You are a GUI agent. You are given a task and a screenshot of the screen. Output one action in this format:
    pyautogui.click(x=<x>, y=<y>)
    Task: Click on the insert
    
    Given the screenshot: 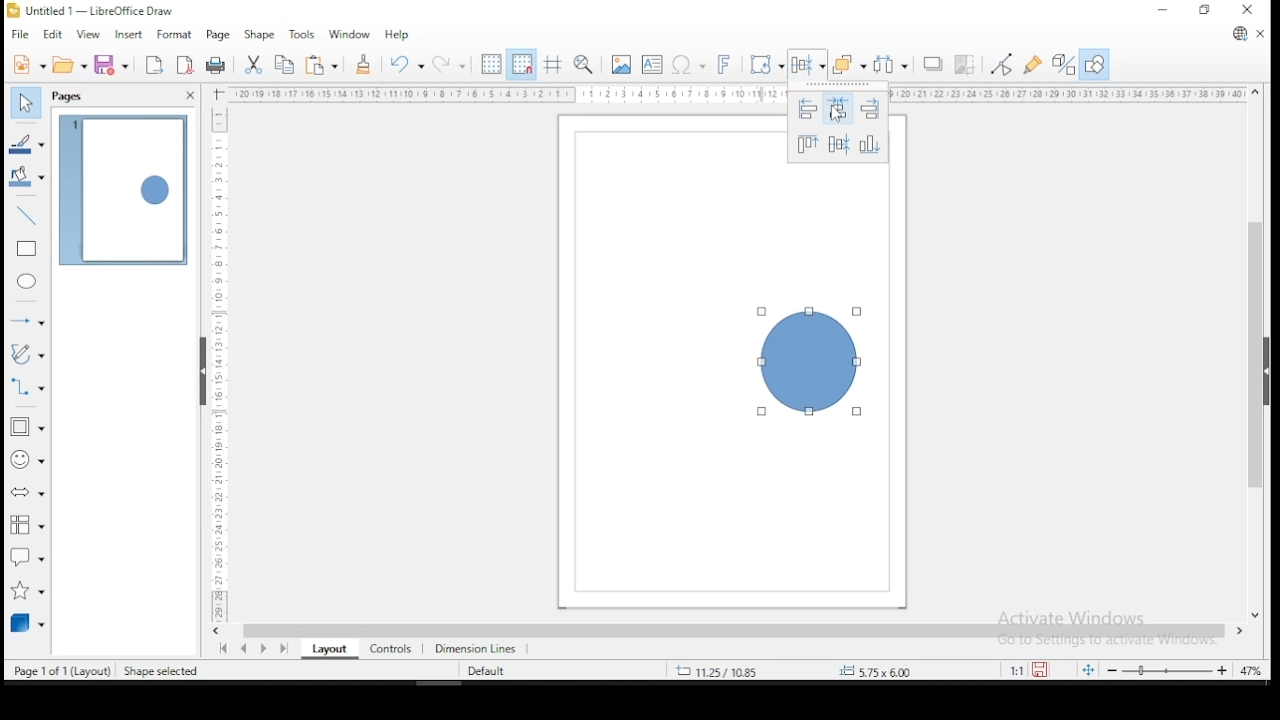 What is the action you would take?
    pyautogui.click(x=126, y=35)
    